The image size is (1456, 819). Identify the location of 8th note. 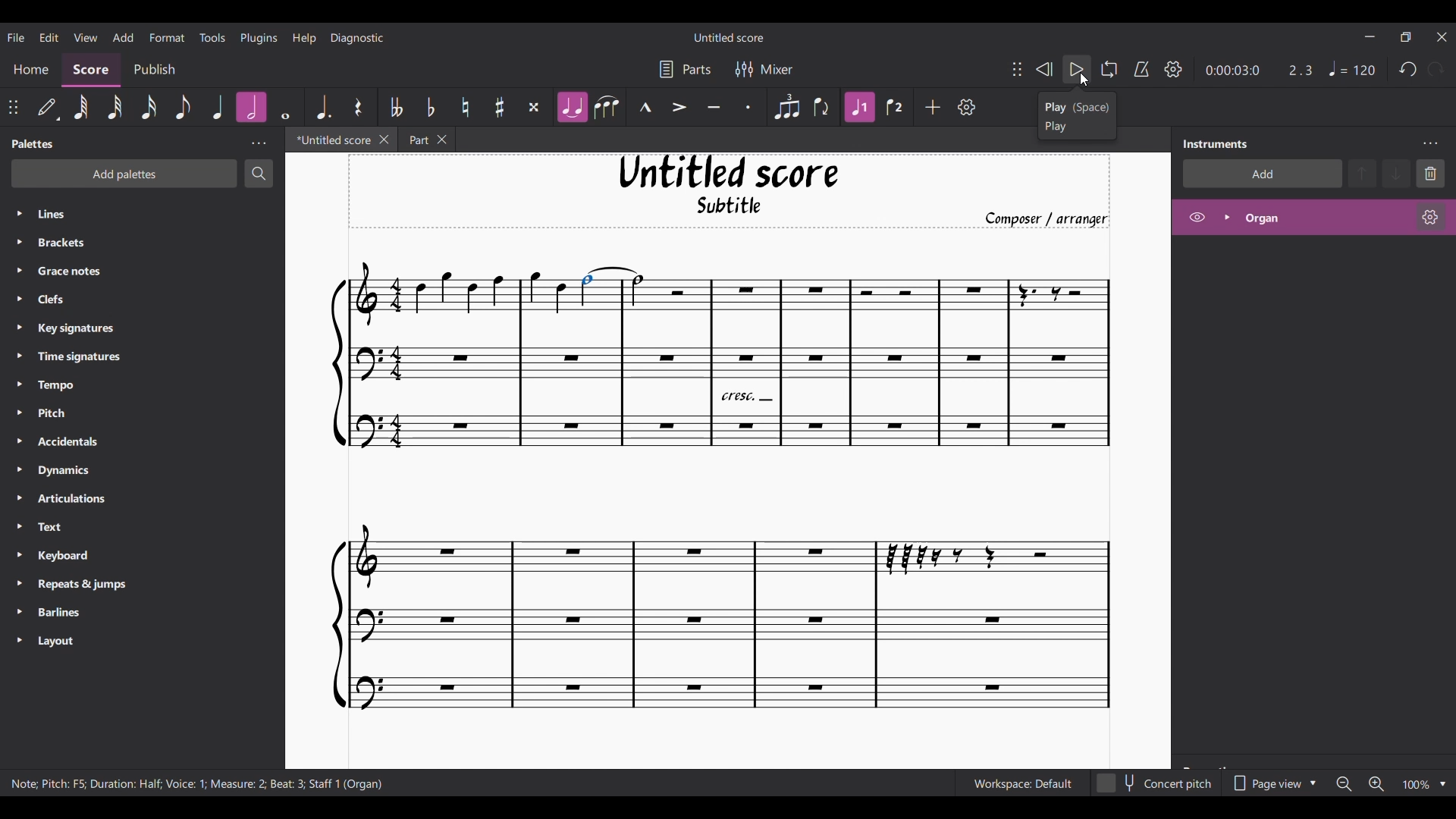
(183, 106).